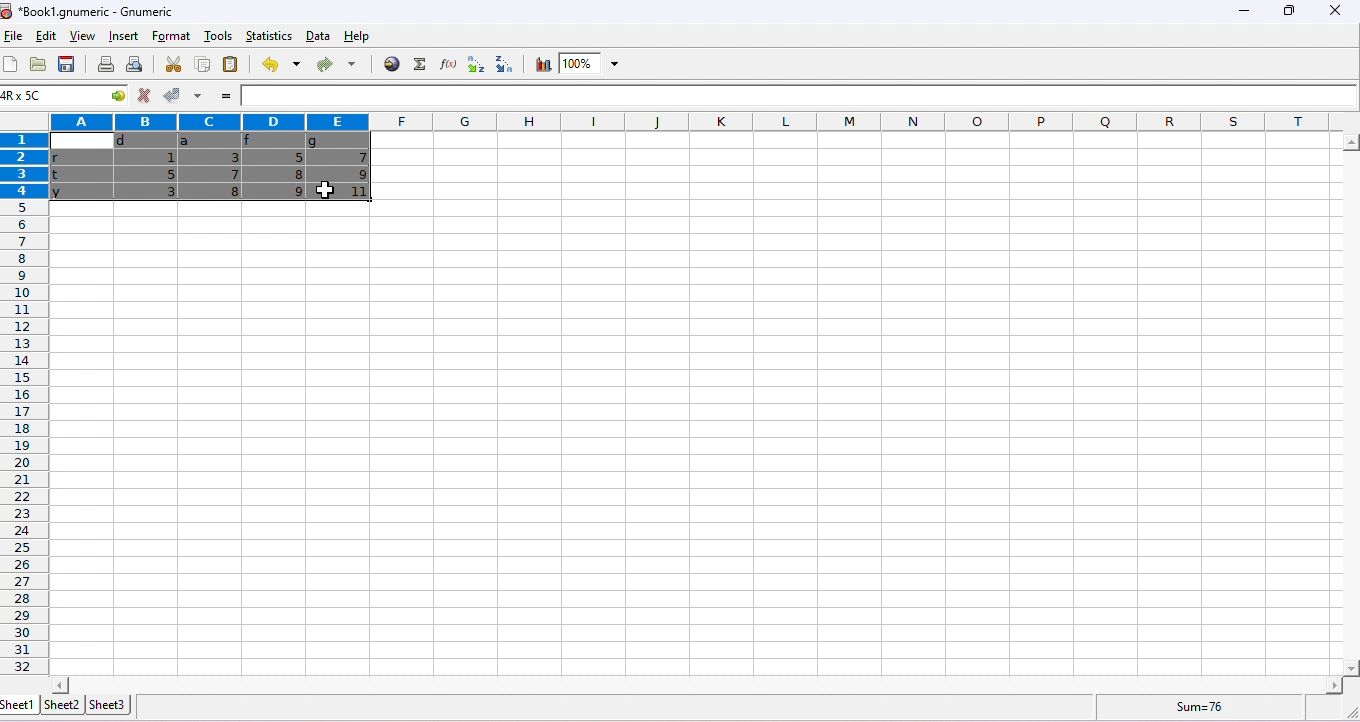 This screenshot has width=1360, height=722. I want to click on cell functions, so click(109, 97).